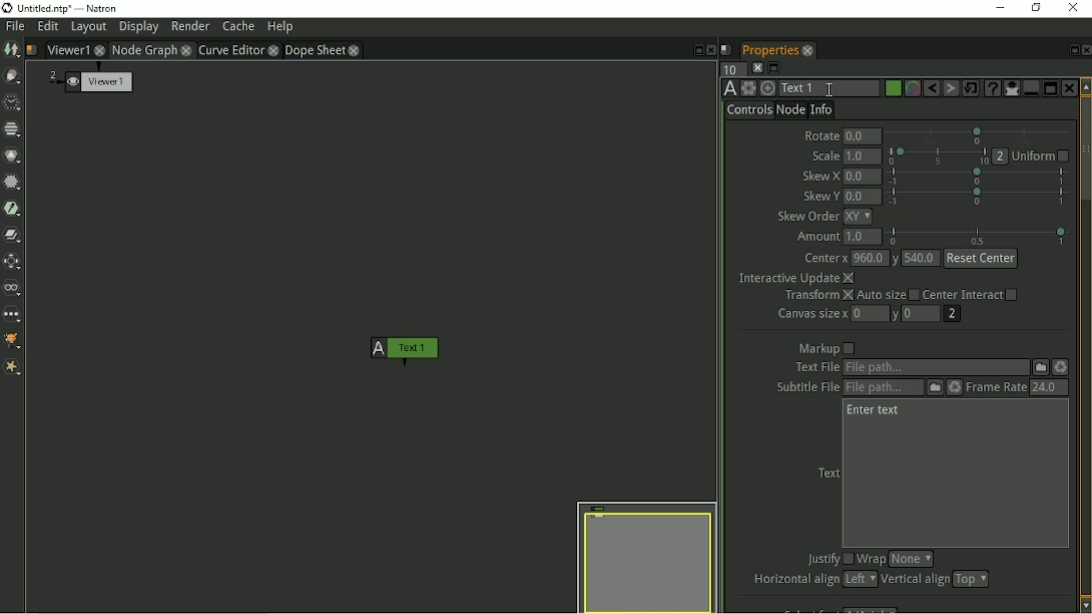 Image resolution: width=1092 pixels, height=614 pixels. What do you see at coordinates (749, 88) in the screenshot?
I see `Settings and presets` at bounding box center [749, 88].